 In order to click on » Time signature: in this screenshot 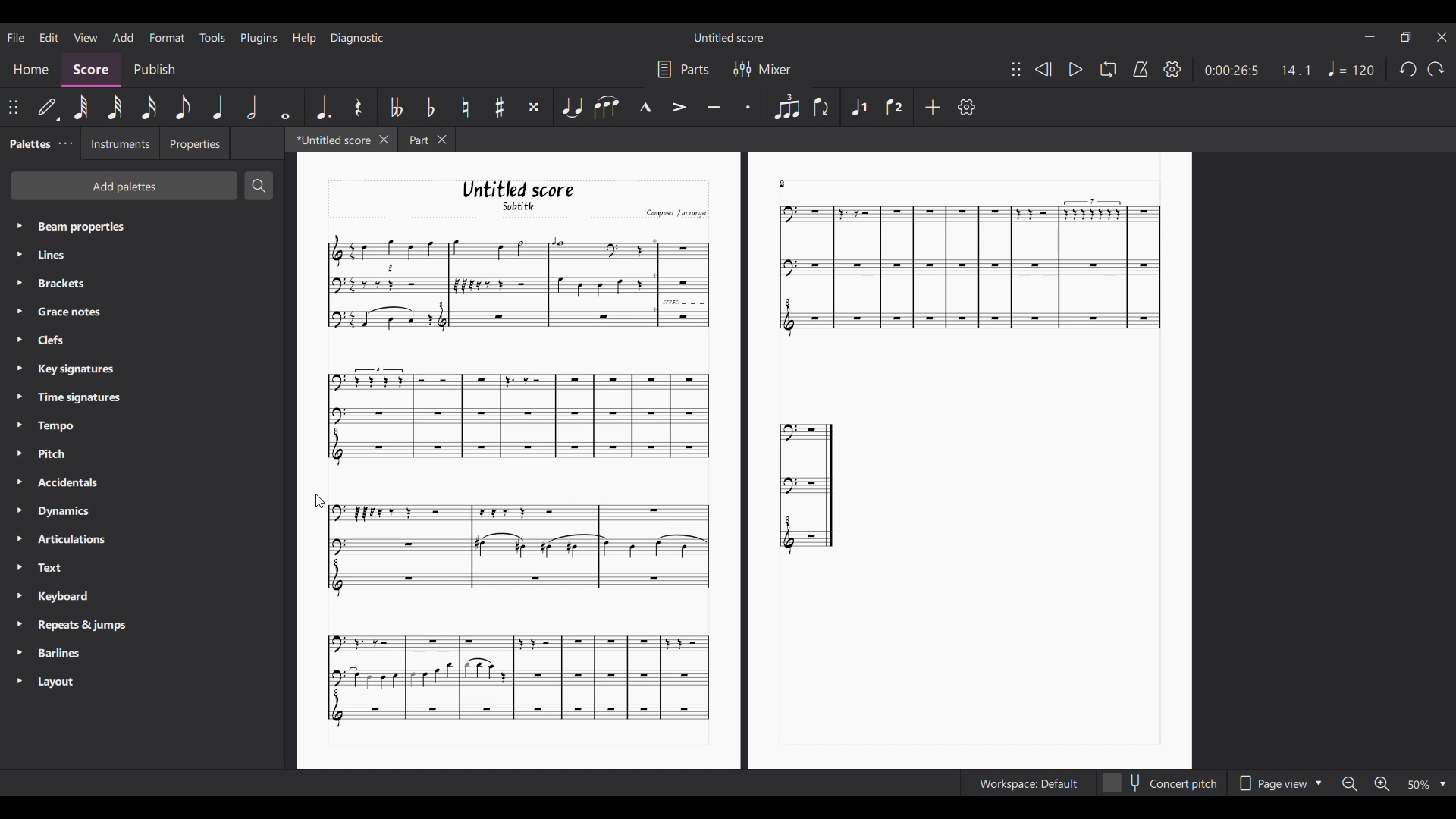, I will do `click(68, 397)`.